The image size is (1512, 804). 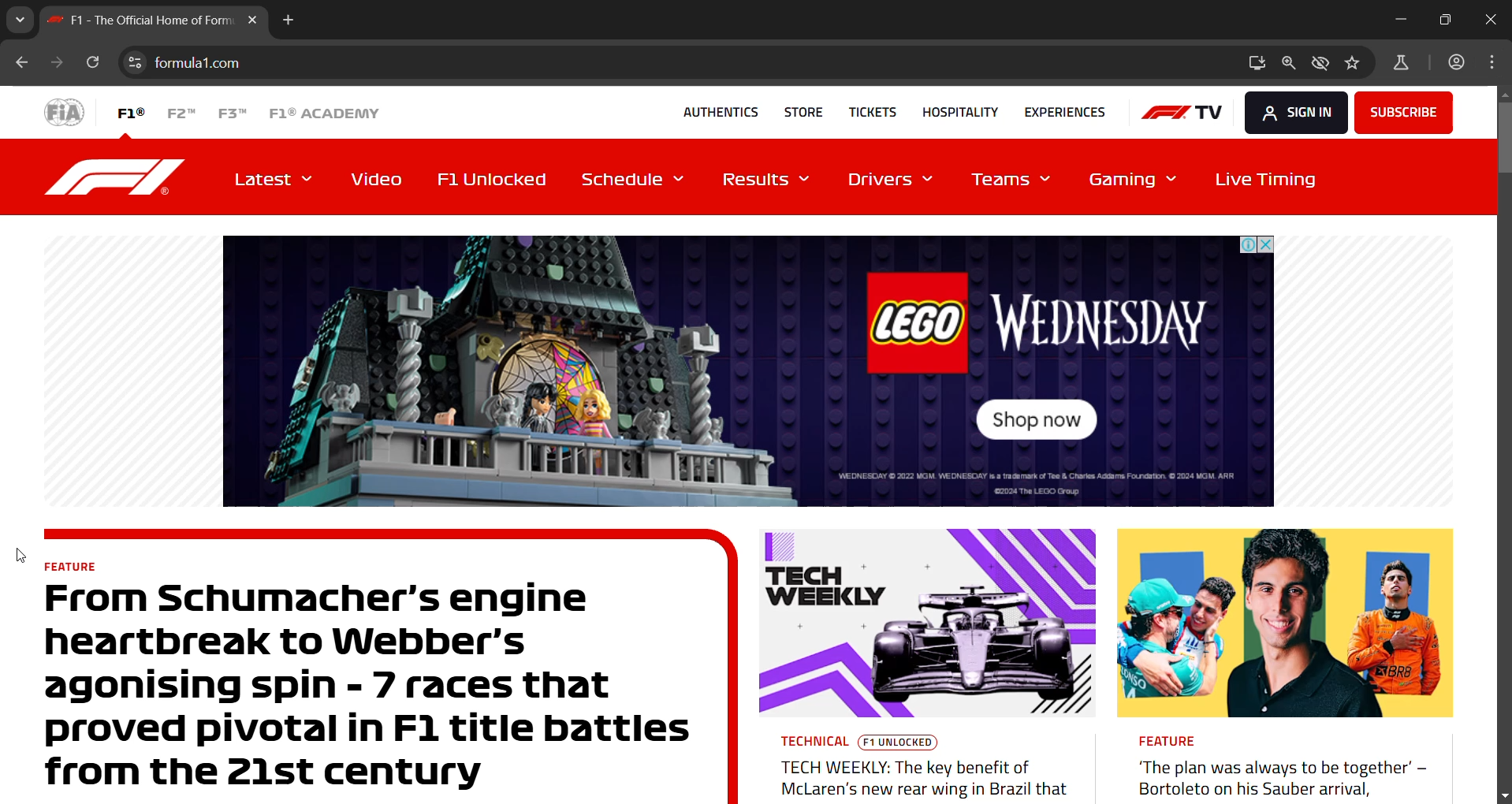 What do you see at coordinates (698, 64) in the screenshot?
I see `address bar` at bounding box center [698, 64].